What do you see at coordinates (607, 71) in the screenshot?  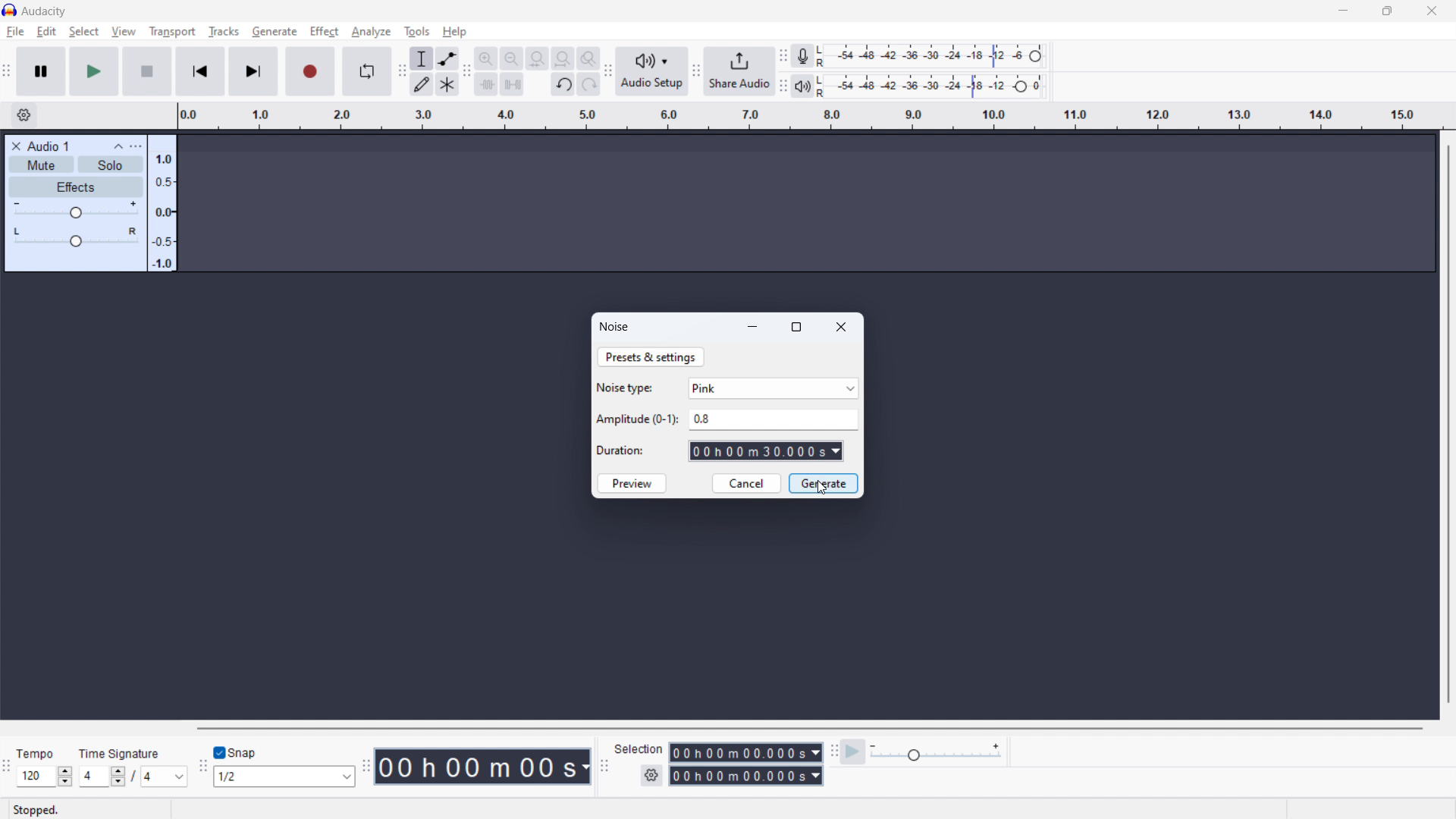 I see `audio setup toolbar` at bounding box center [607, 71].